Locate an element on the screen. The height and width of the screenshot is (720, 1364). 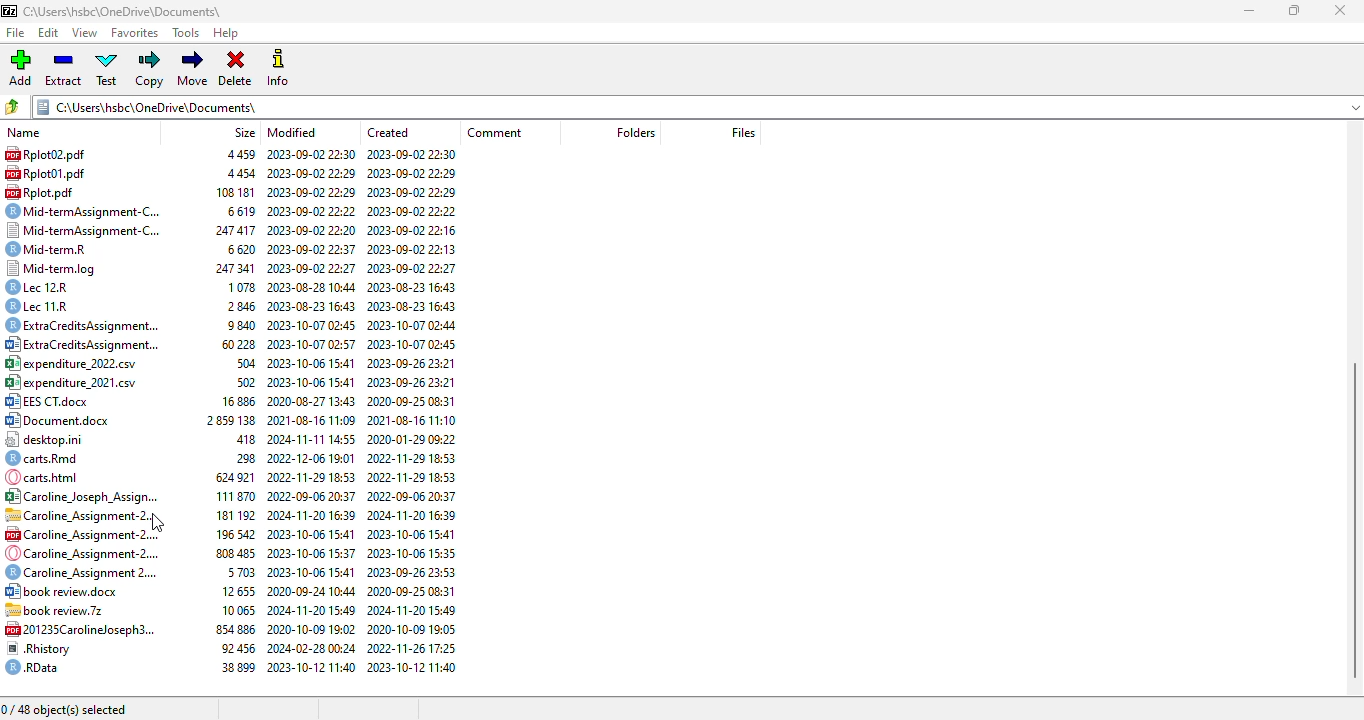
5) ExtraCreditsAssignment... is located at coordinates (80, 344).